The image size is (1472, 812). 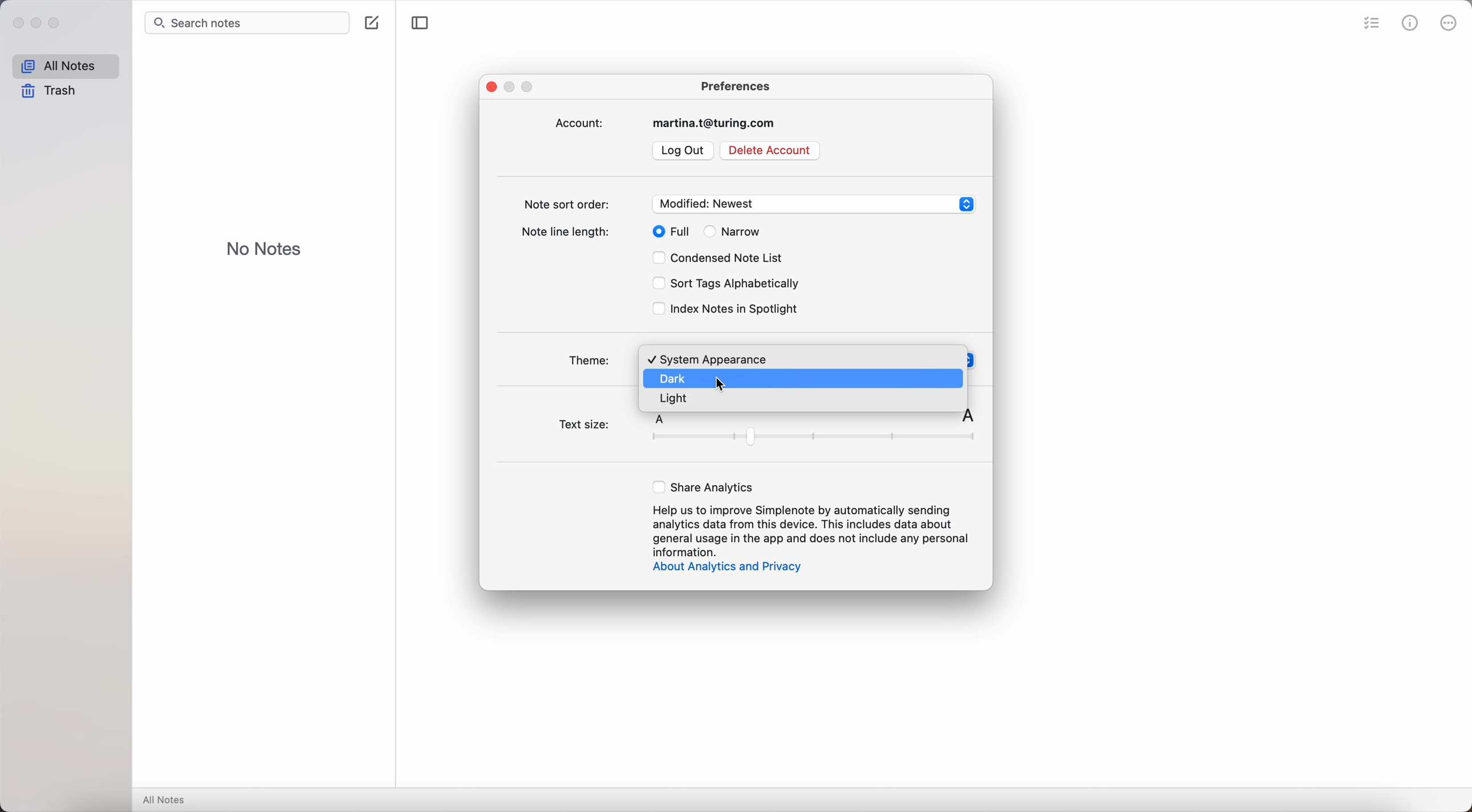 What do you see at coordinates (669, 123) in the screenshot?
I see `account` at bounding box center [669, 123].